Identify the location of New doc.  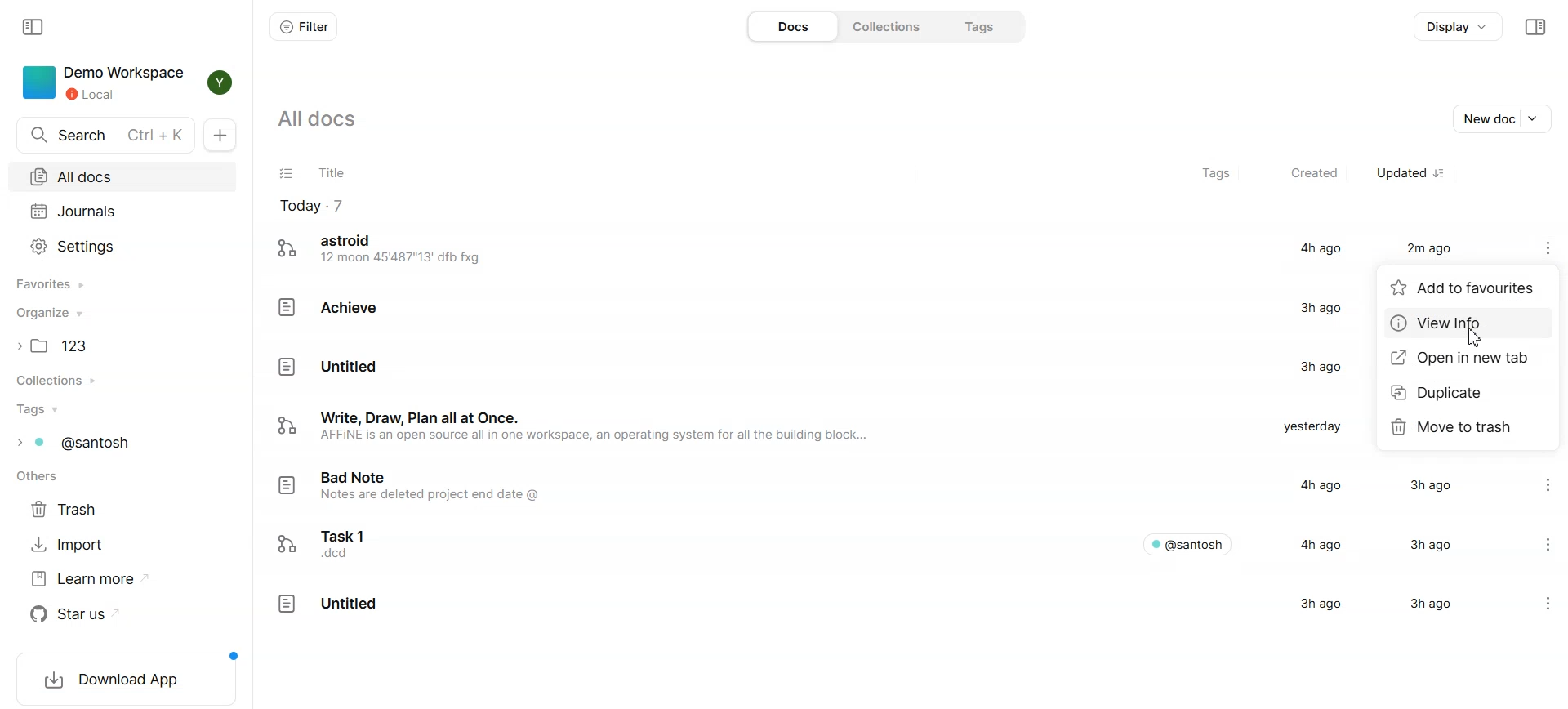
(221, 134).